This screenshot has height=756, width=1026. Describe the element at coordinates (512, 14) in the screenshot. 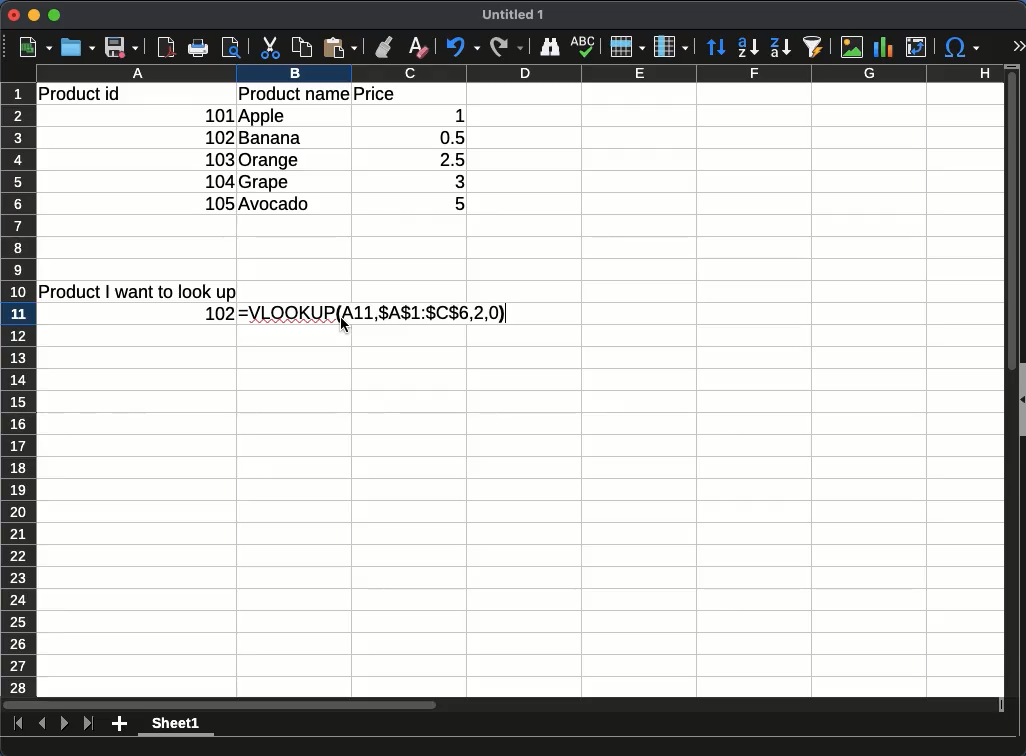

I see `Untitled 1` at that location.